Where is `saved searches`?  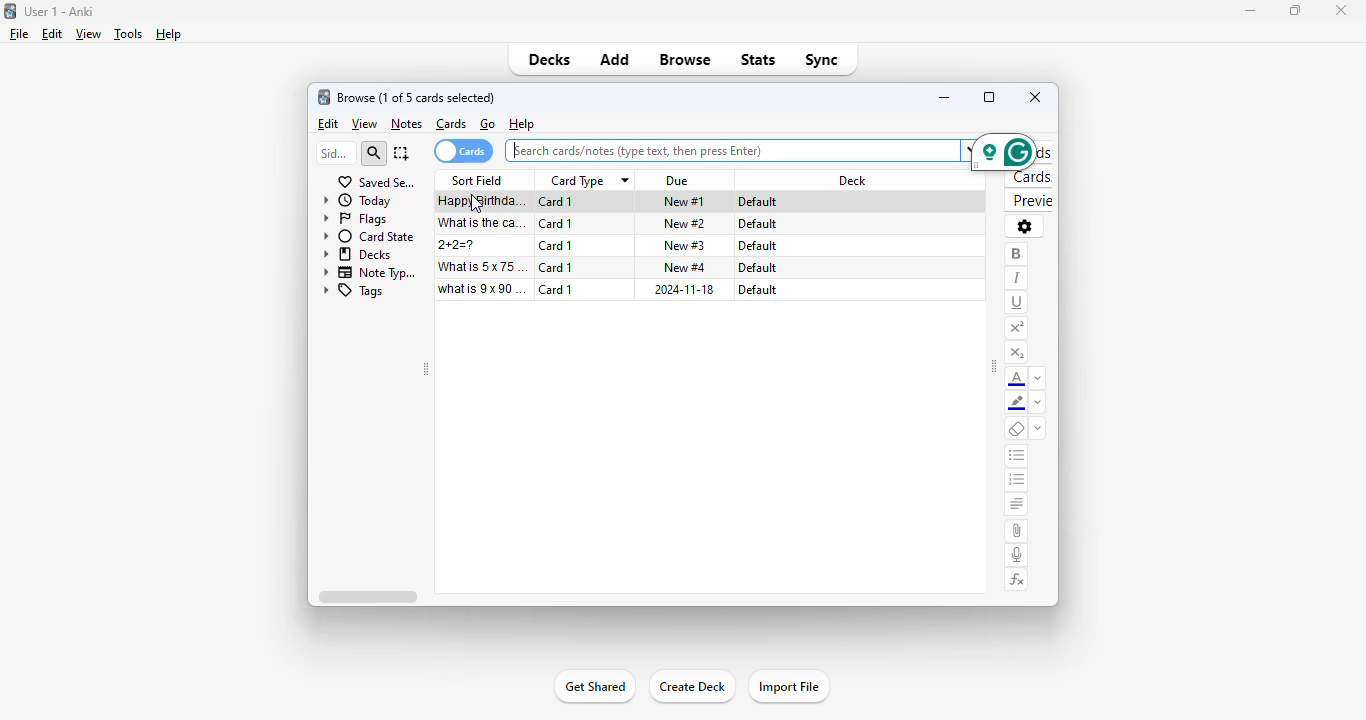 saved searches is located at coordinates (377, 182).